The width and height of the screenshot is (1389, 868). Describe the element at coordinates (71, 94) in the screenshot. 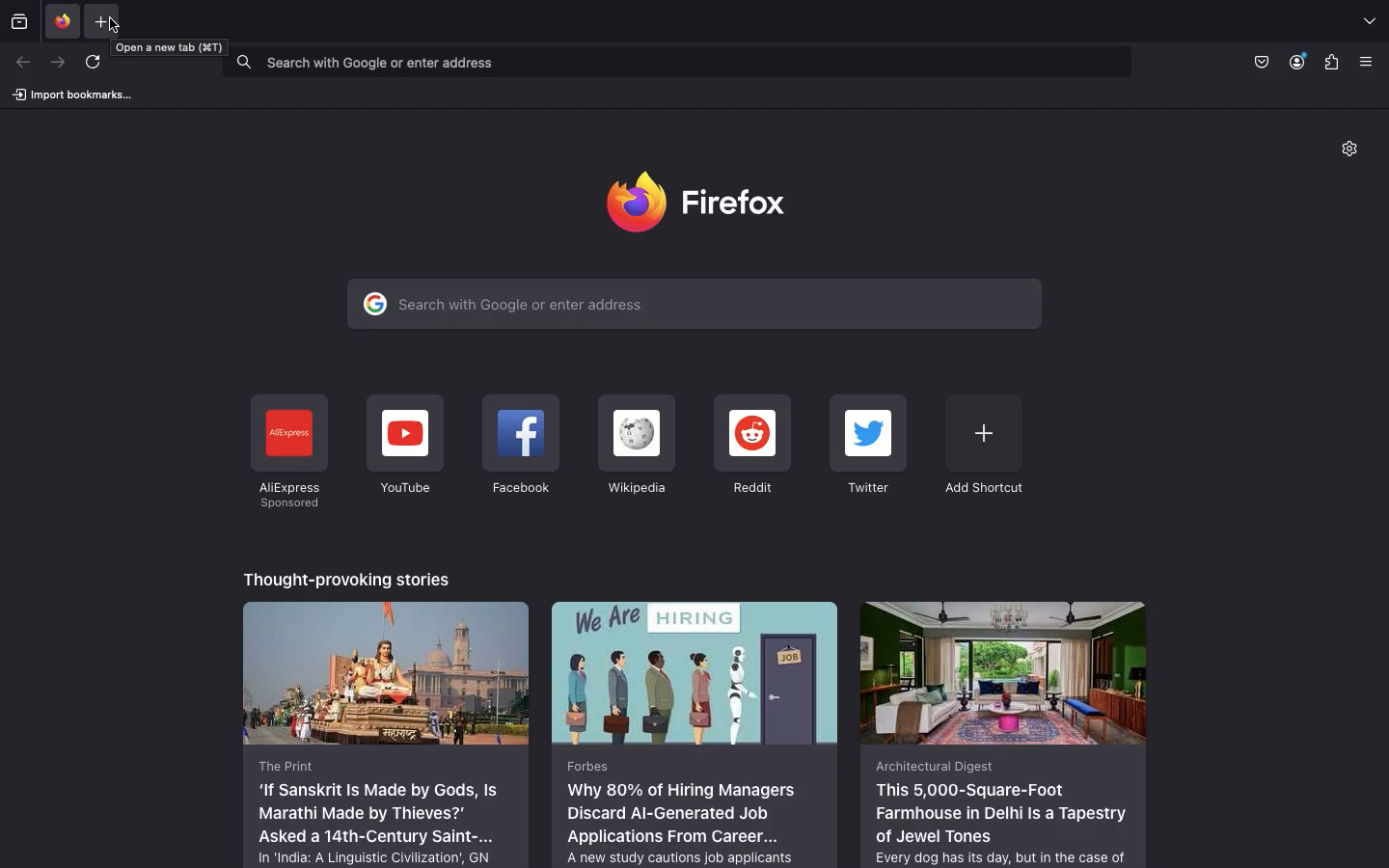

I see `Import bookmarks` at that location.